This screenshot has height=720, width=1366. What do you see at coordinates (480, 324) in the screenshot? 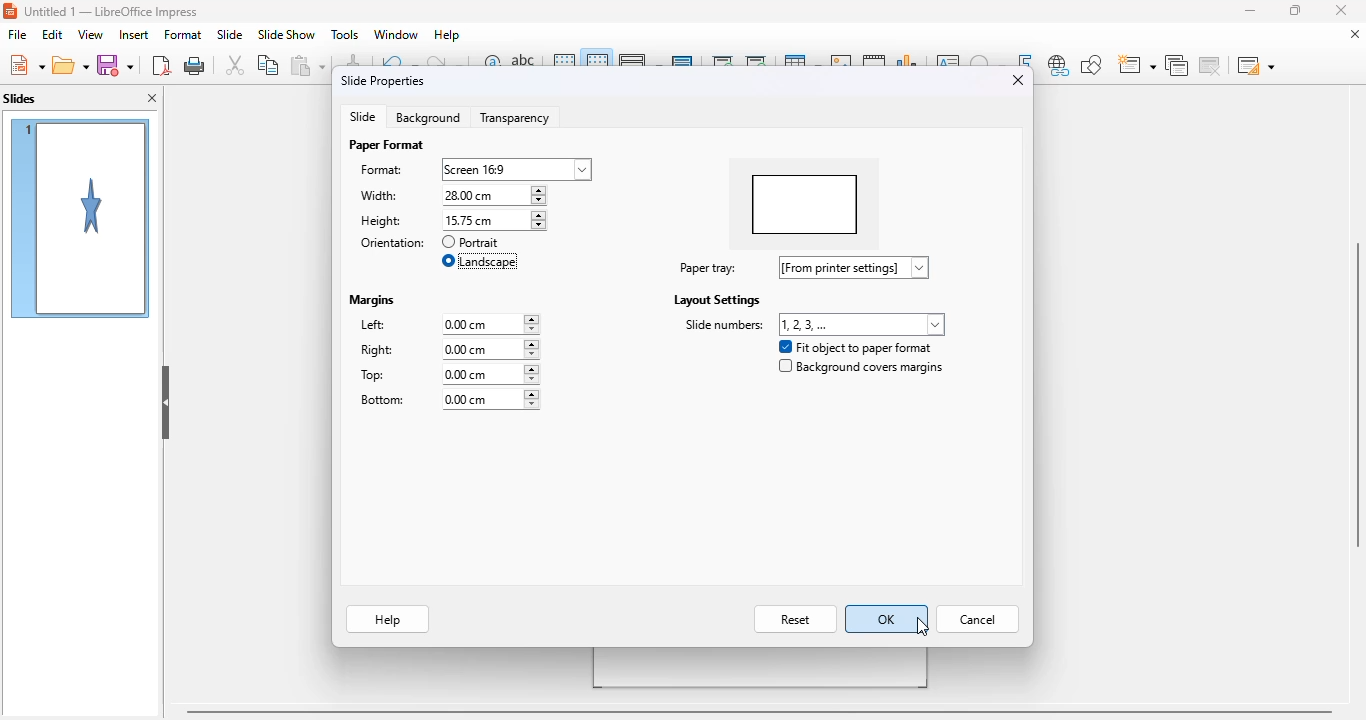
I see `left: 0.00 cm` at bounding box center [480, 324].